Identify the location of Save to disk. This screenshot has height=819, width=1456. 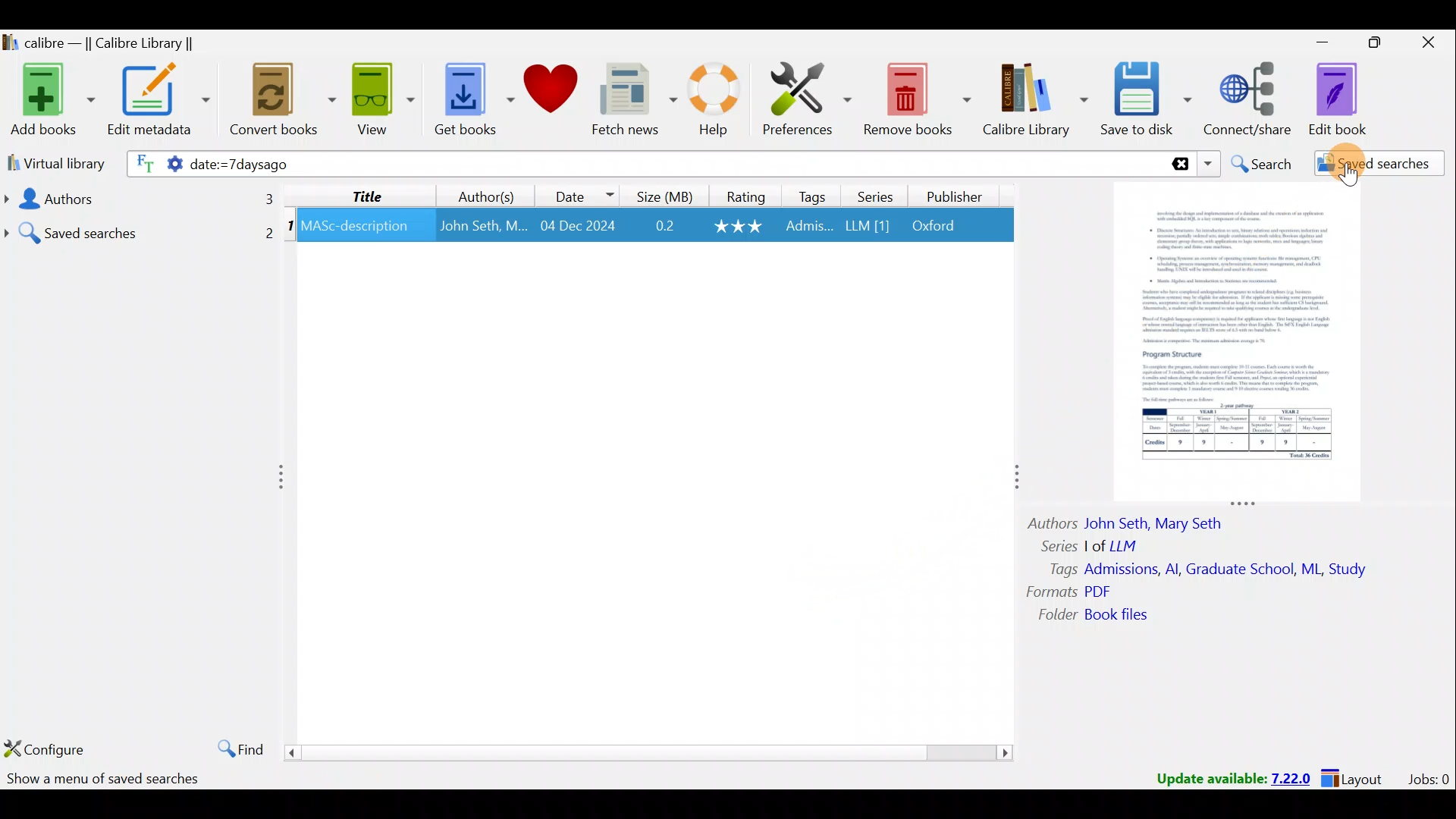
(1148, 101).